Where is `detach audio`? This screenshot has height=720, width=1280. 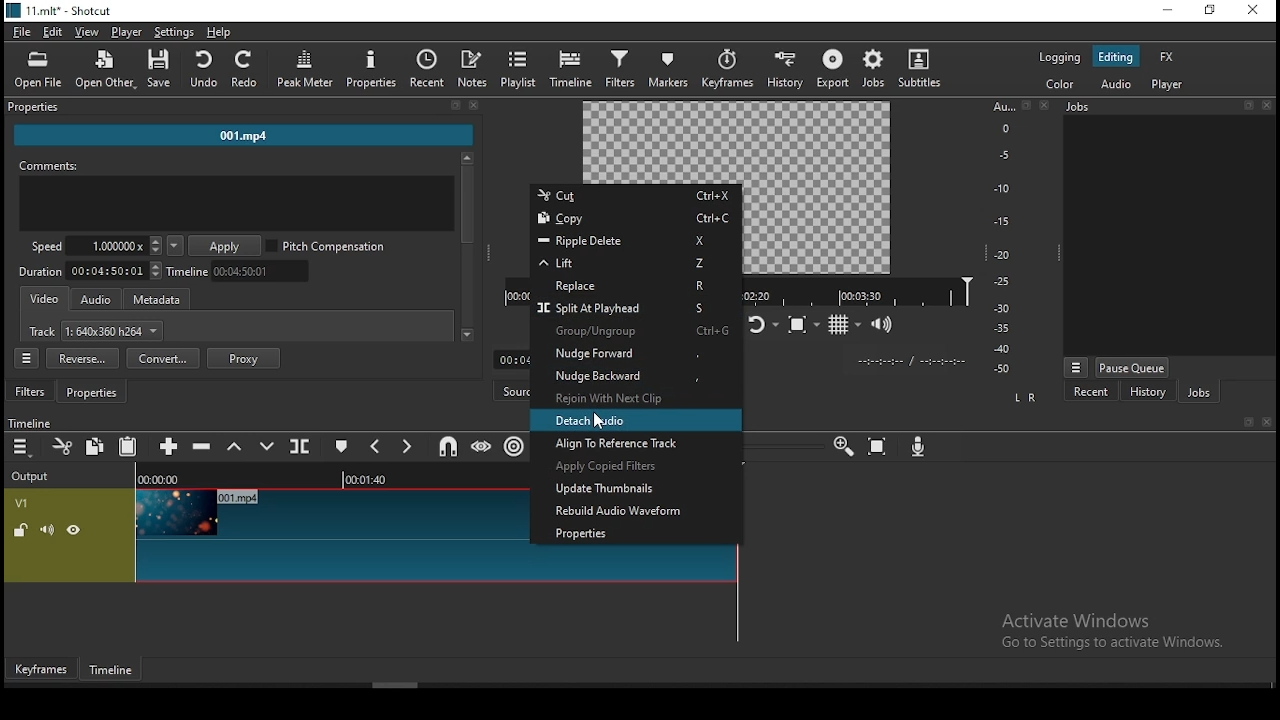
detach audio is located at coordinates (634, 420).